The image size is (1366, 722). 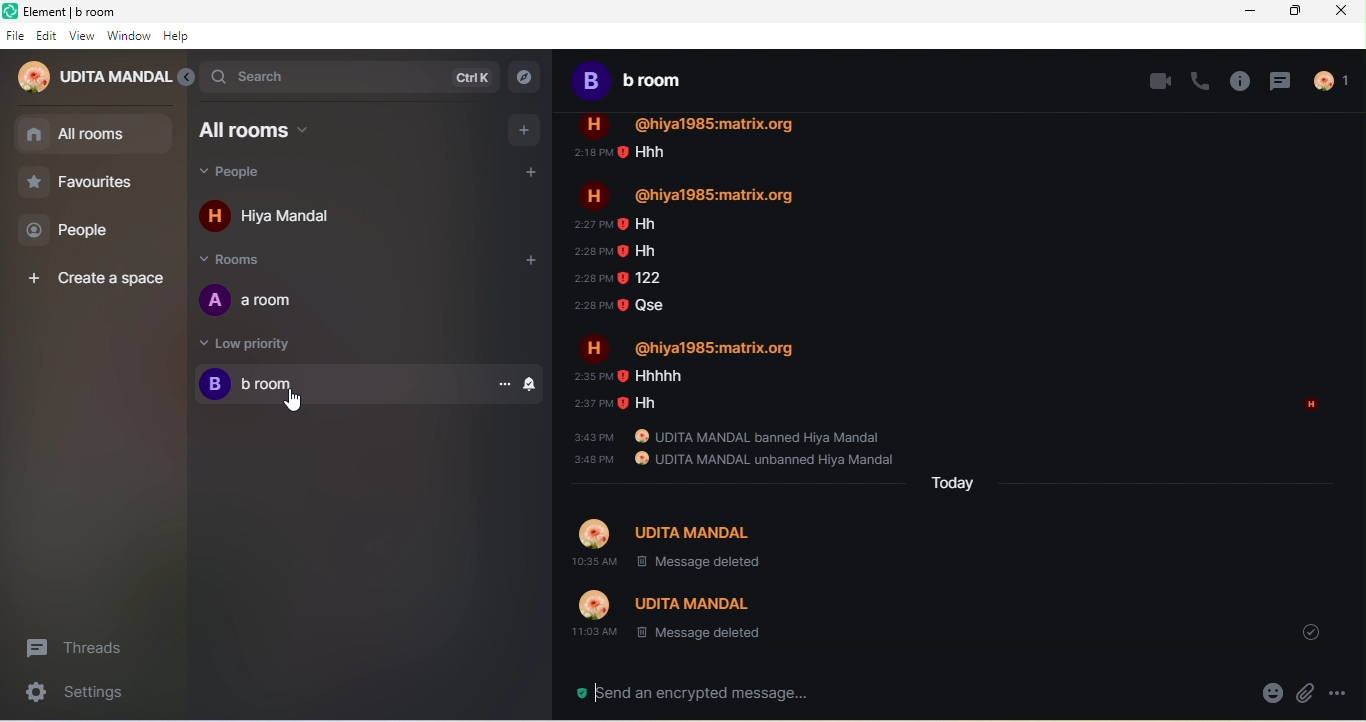 What do you see at coordinates (1299, 12) in the screenshot?
I see `maximize` at bounding box center [1299, 12].